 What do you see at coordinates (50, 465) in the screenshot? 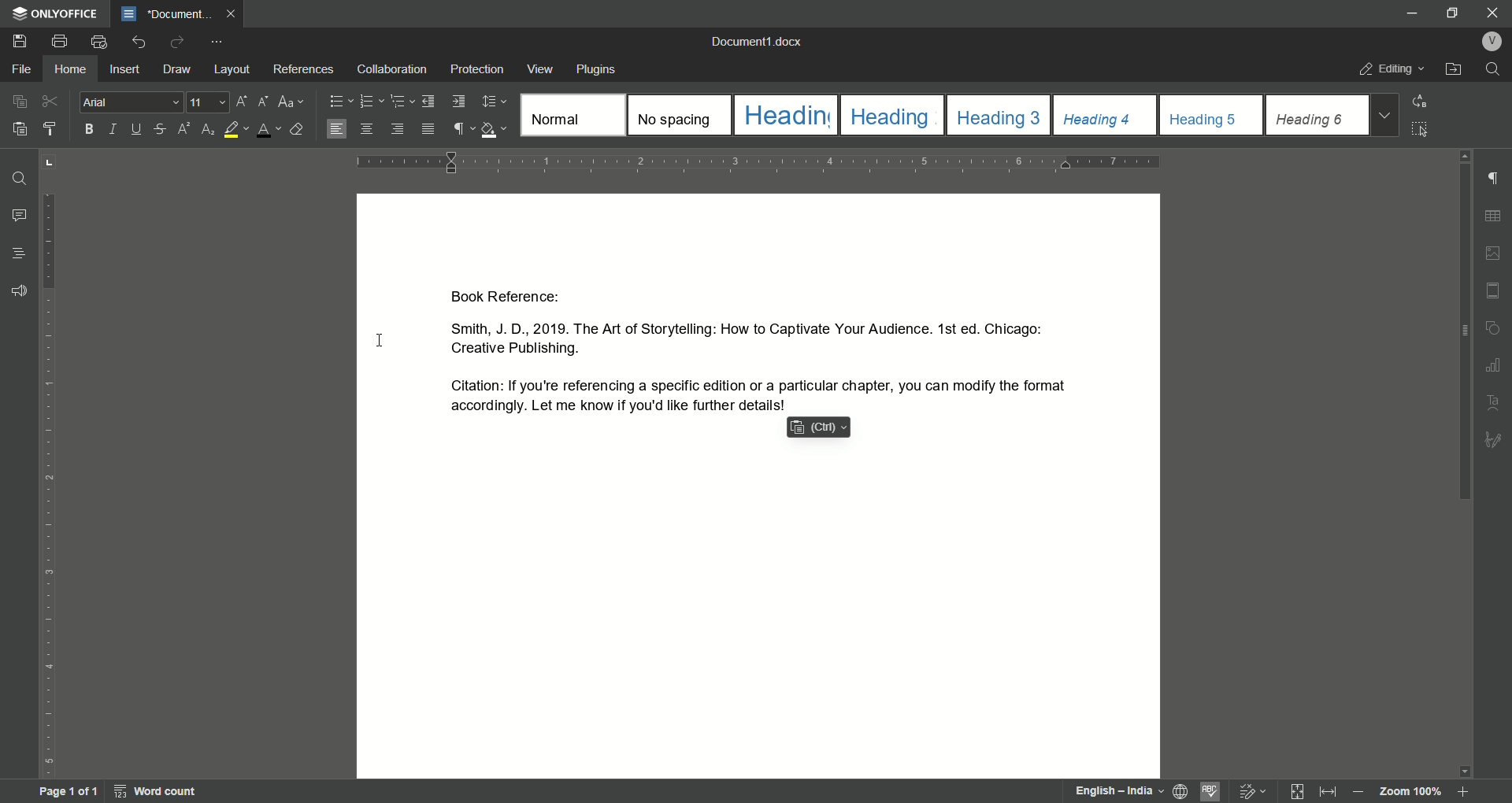
I see `vertical orientation` at bounding box center [50, 465].